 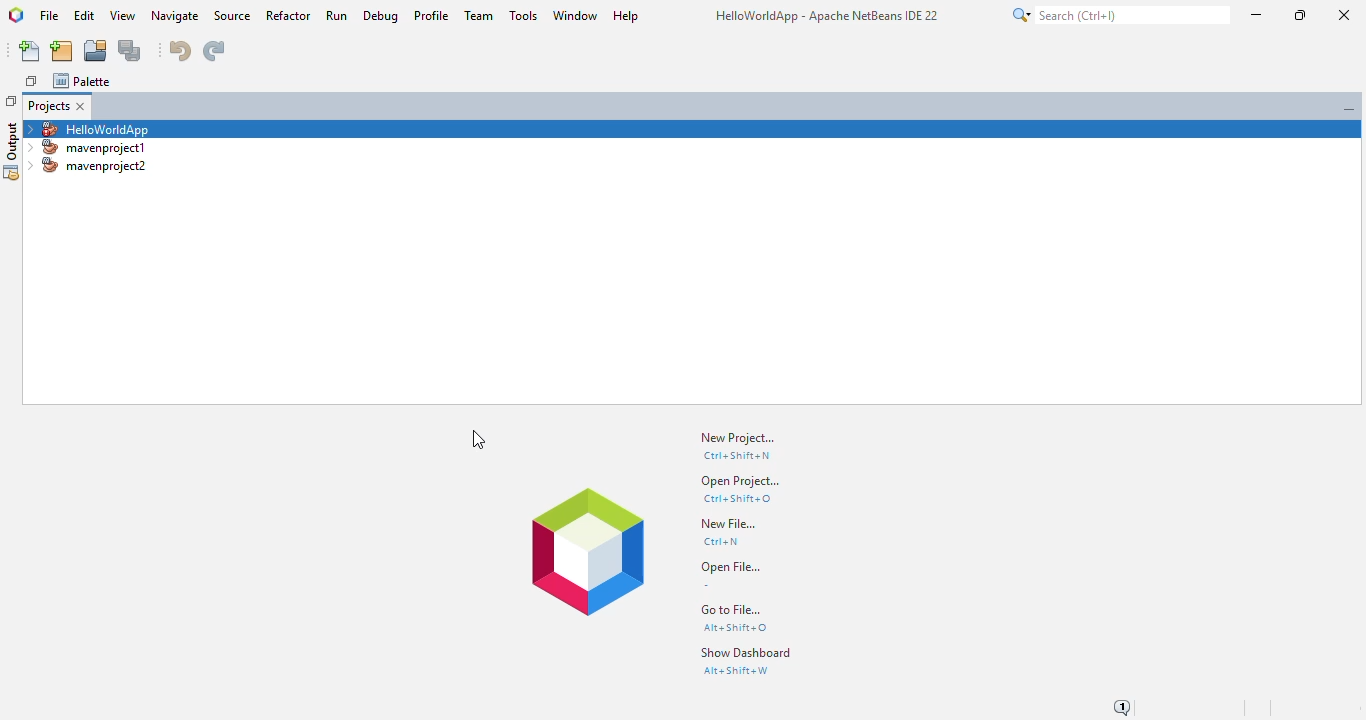 What do you see at coordinates (181, 50) in the screenshot?
I see `undo` at bounding box center [181, 50].